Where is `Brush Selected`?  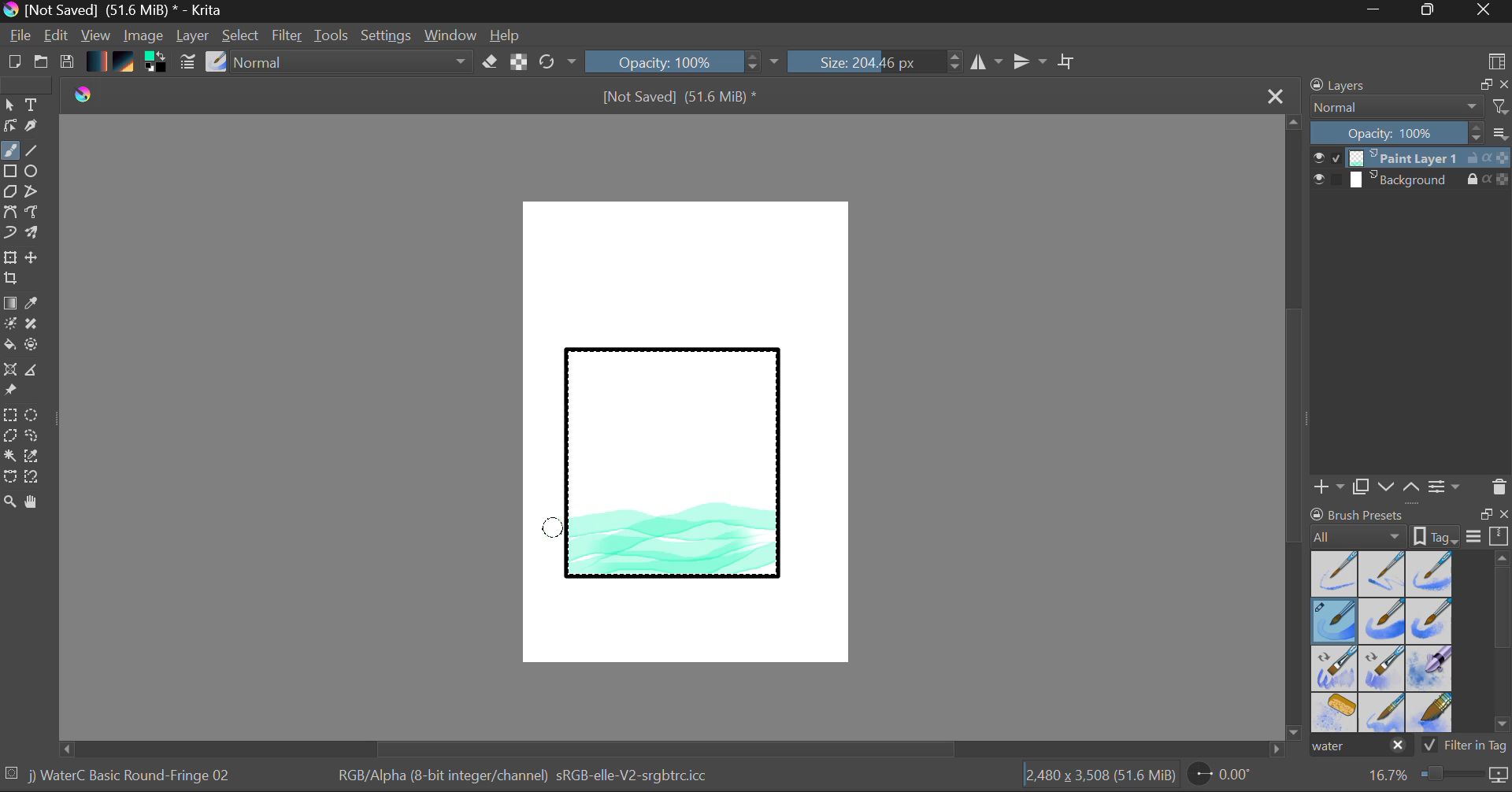
Brush Selected is located at coordinates (132, 777).